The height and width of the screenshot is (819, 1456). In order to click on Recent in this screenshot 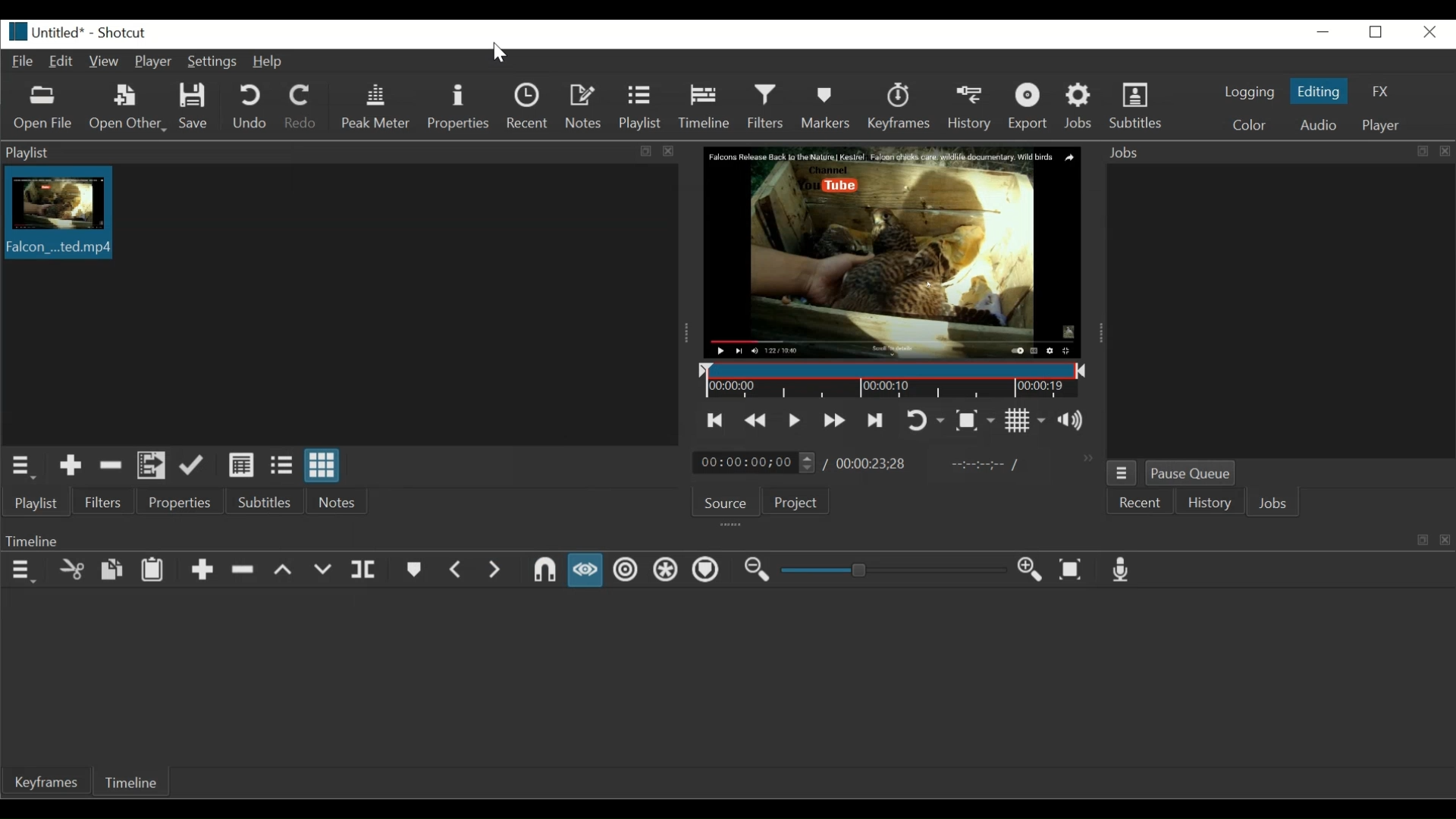, I will do `click(1138, 503)`.